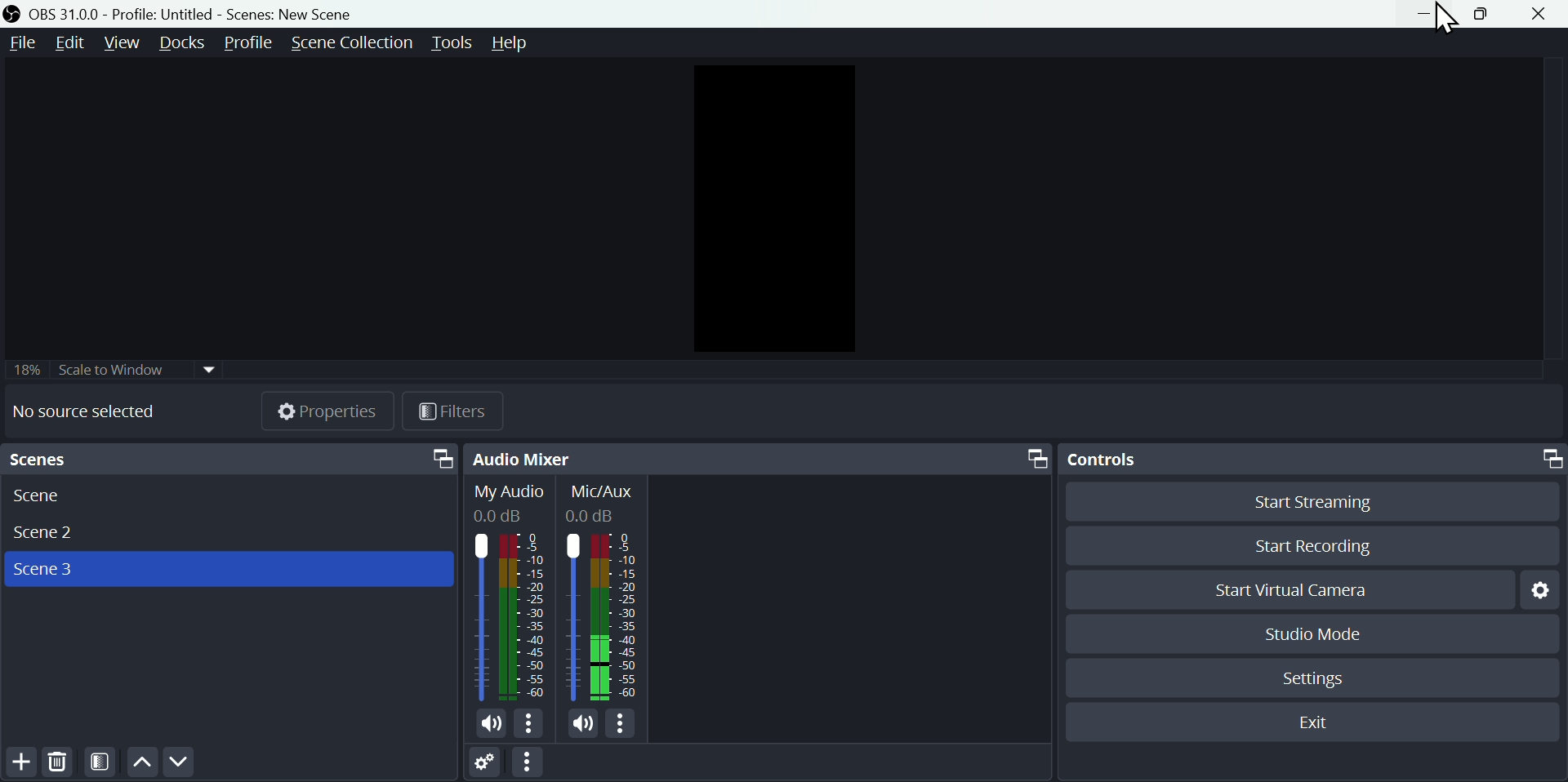 The width and height of the screenshot is (1568, 782). What do you see at coordinates (71, 42) in the screenshot?
I see `Edit` at bounding box center [71, 42].